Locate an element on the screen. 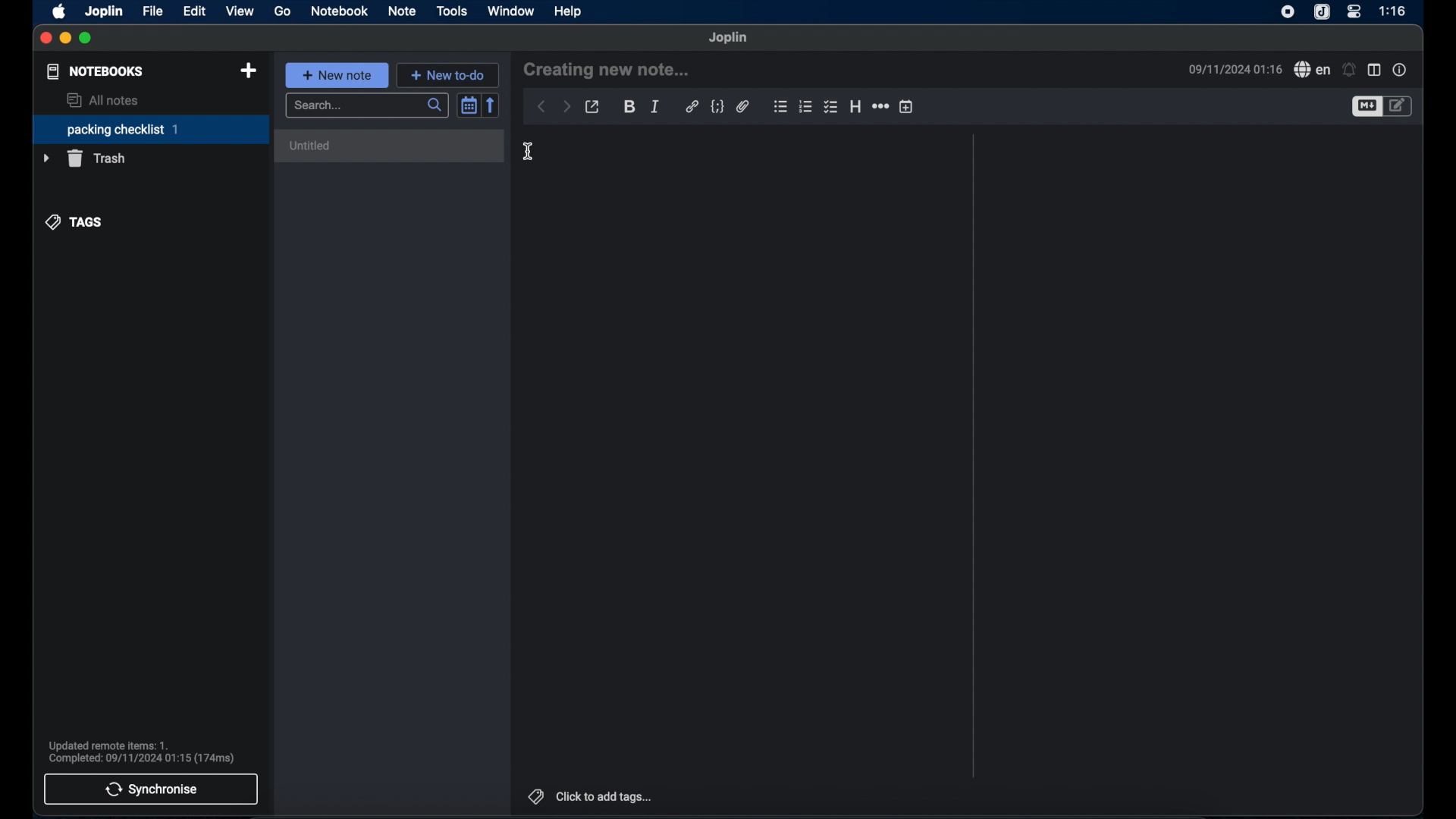  notebook is located at coordinates (339, 11).